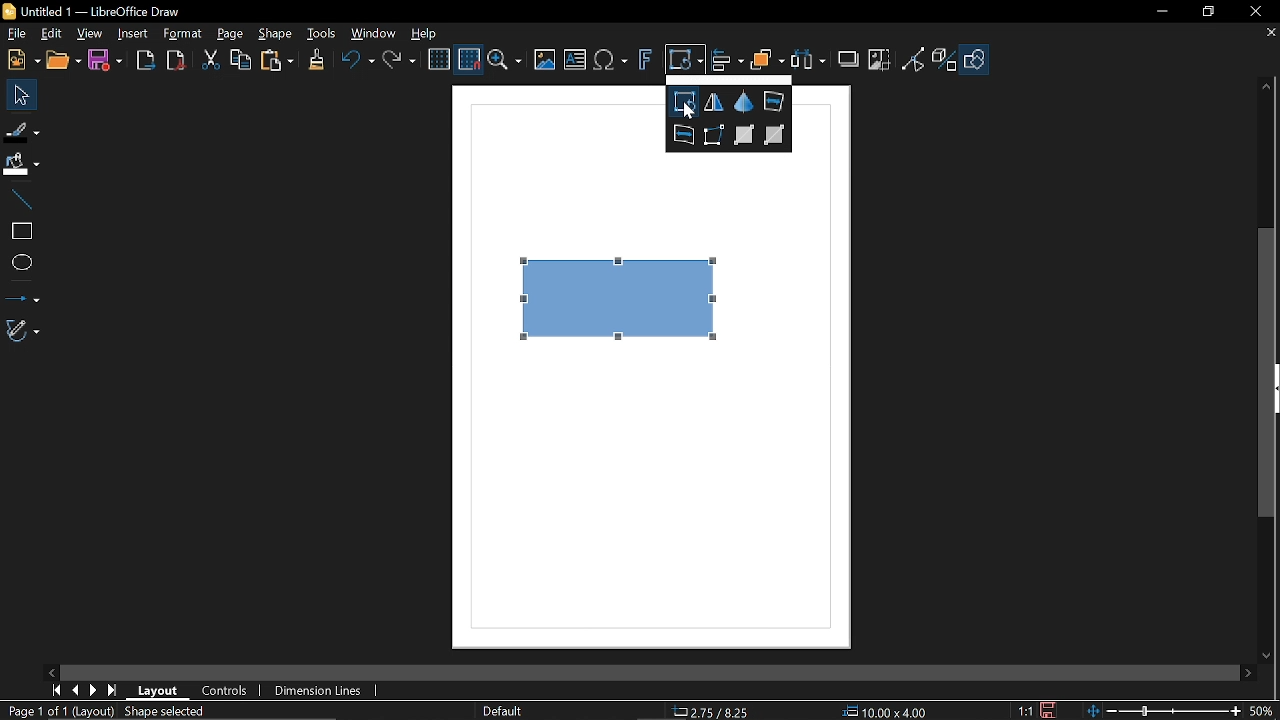 The width and height of the screenshot is (1280, 720). Describe the element at coordinates (767, 62) in the screenshot. I see `Arrange` at that location.